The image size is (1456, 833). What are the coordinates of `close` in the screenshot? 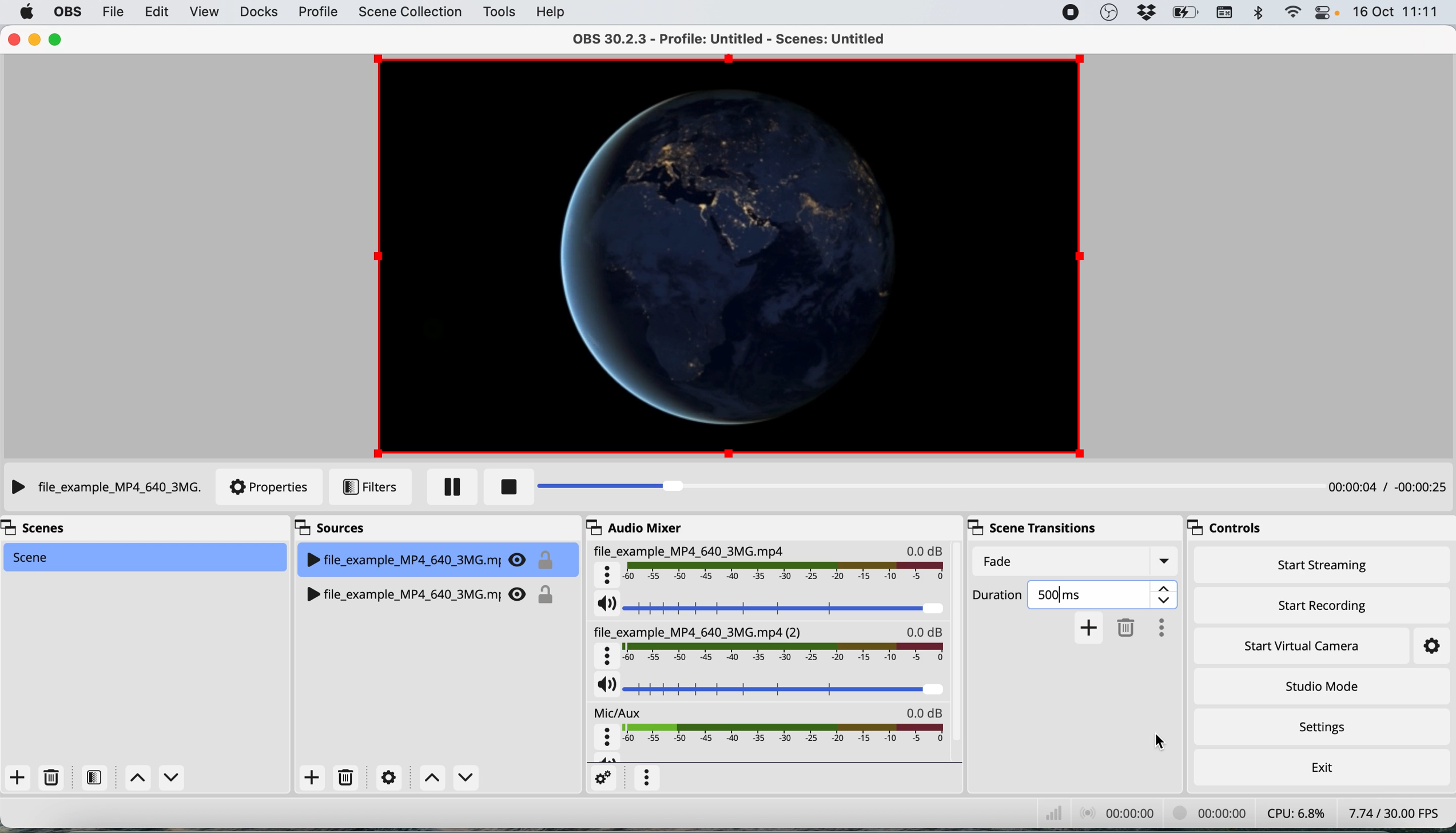 It's located at (13, 38).